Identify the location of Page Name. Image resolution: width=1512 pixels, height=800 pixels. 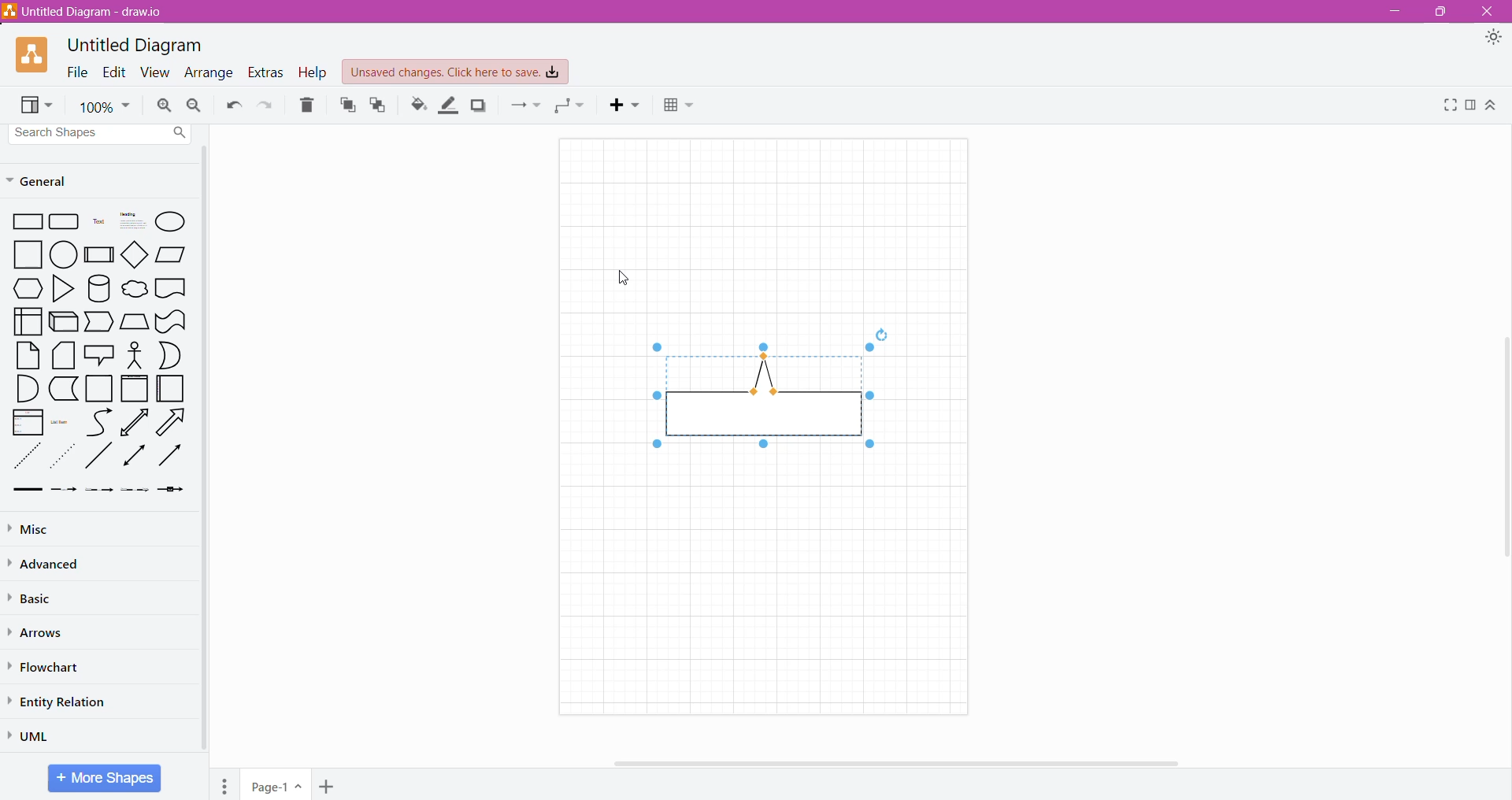
(277, 784).